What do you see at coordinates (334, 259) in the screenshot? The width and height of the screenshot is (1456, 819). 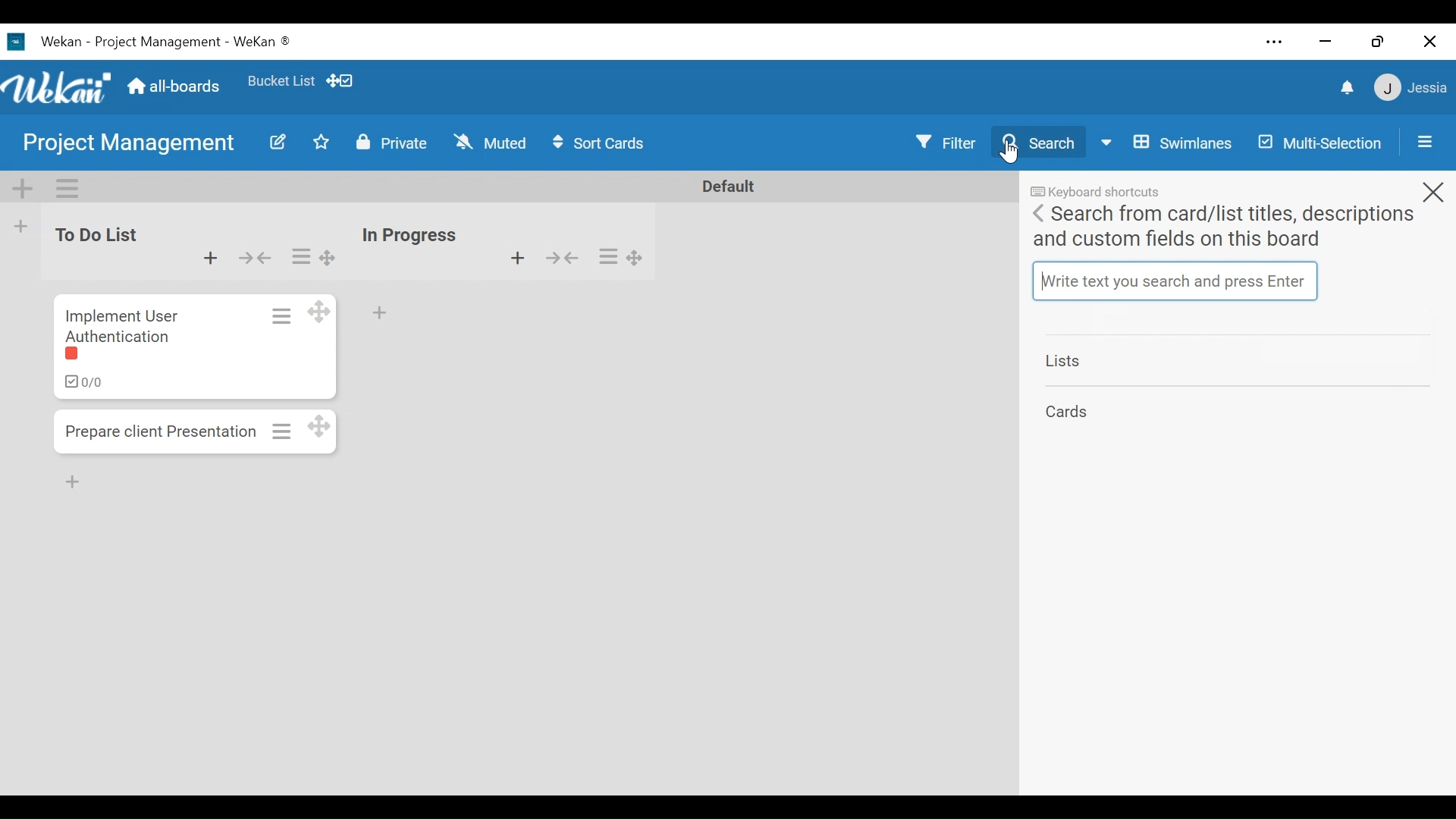 I see `Desktop drag handles` at bounding box center [334, 259].